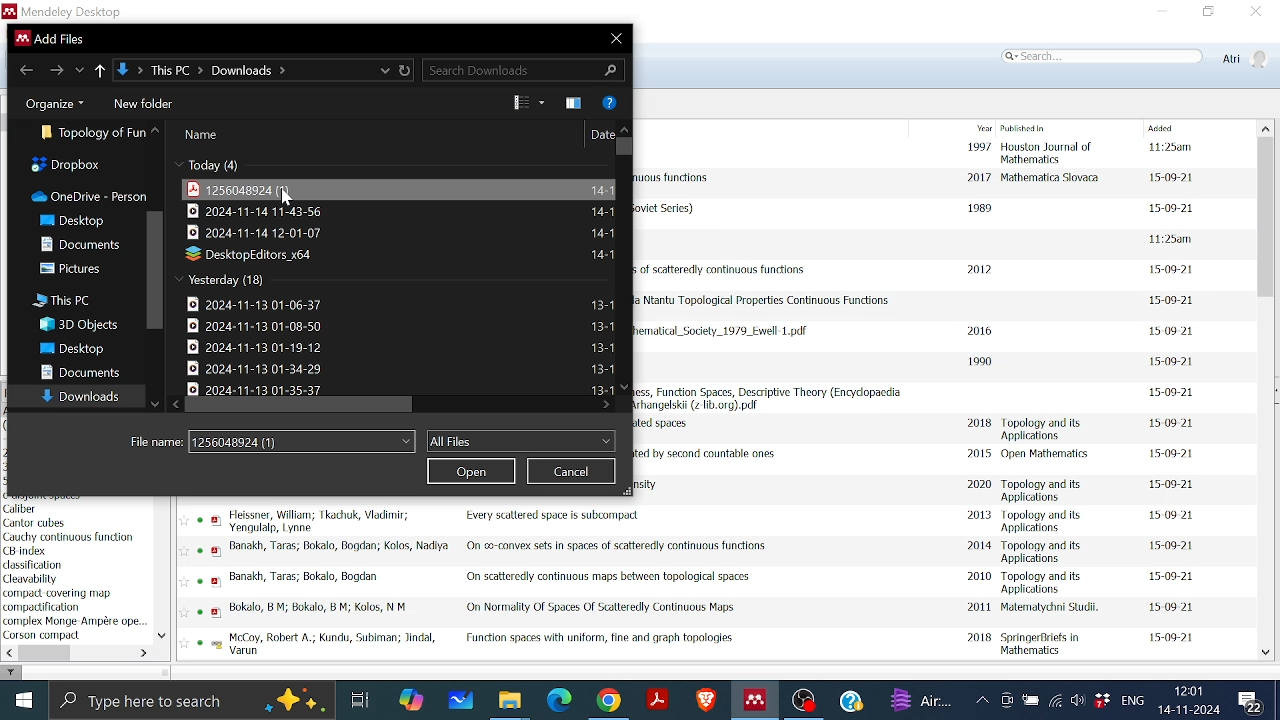  What do you see at coordinates (84, 398) in the screenshot?
I see `Downloads` at bounding box center [84, 398].